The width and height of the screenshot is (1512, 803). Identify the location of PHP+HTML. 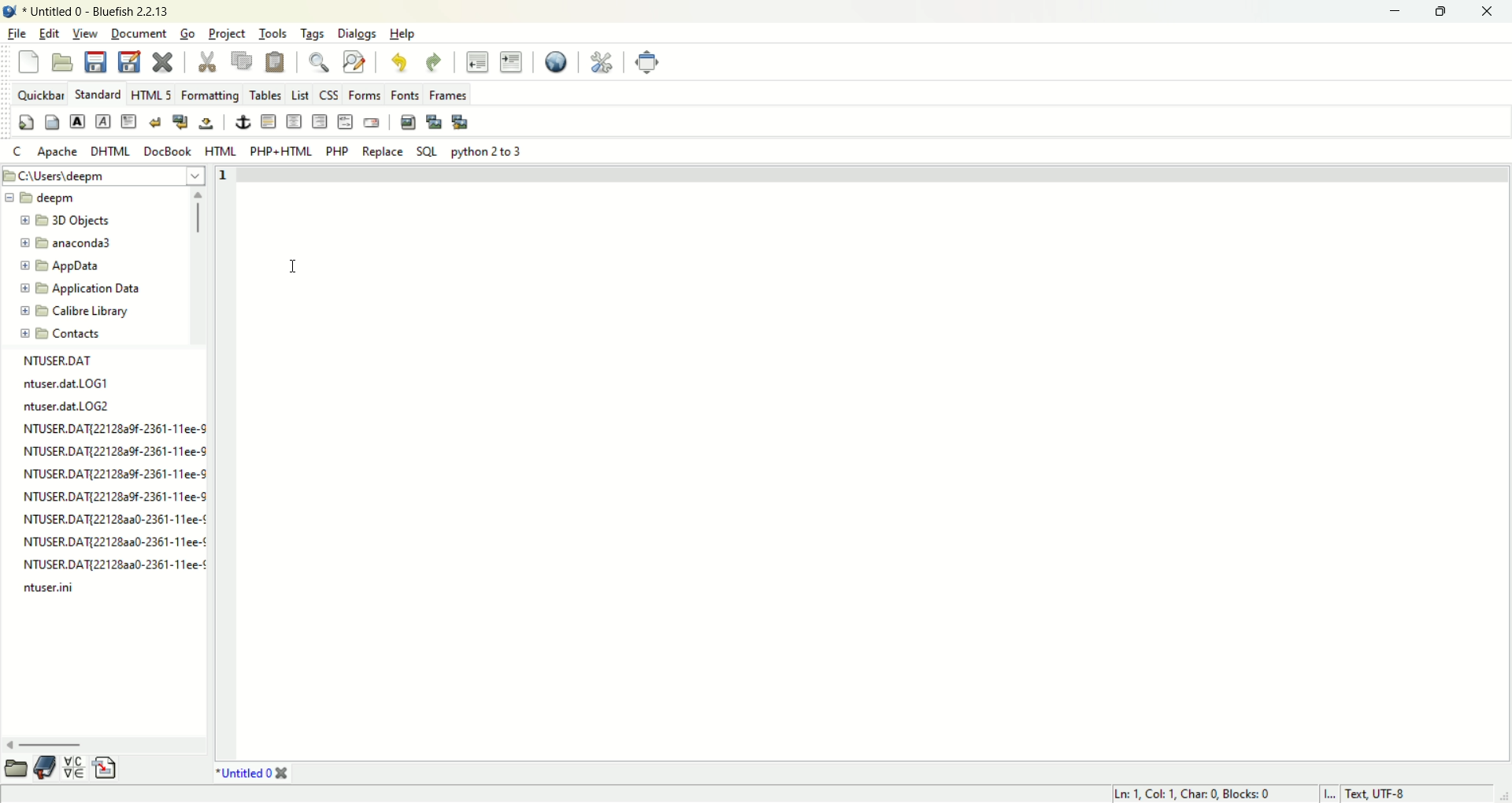
(281, 152).